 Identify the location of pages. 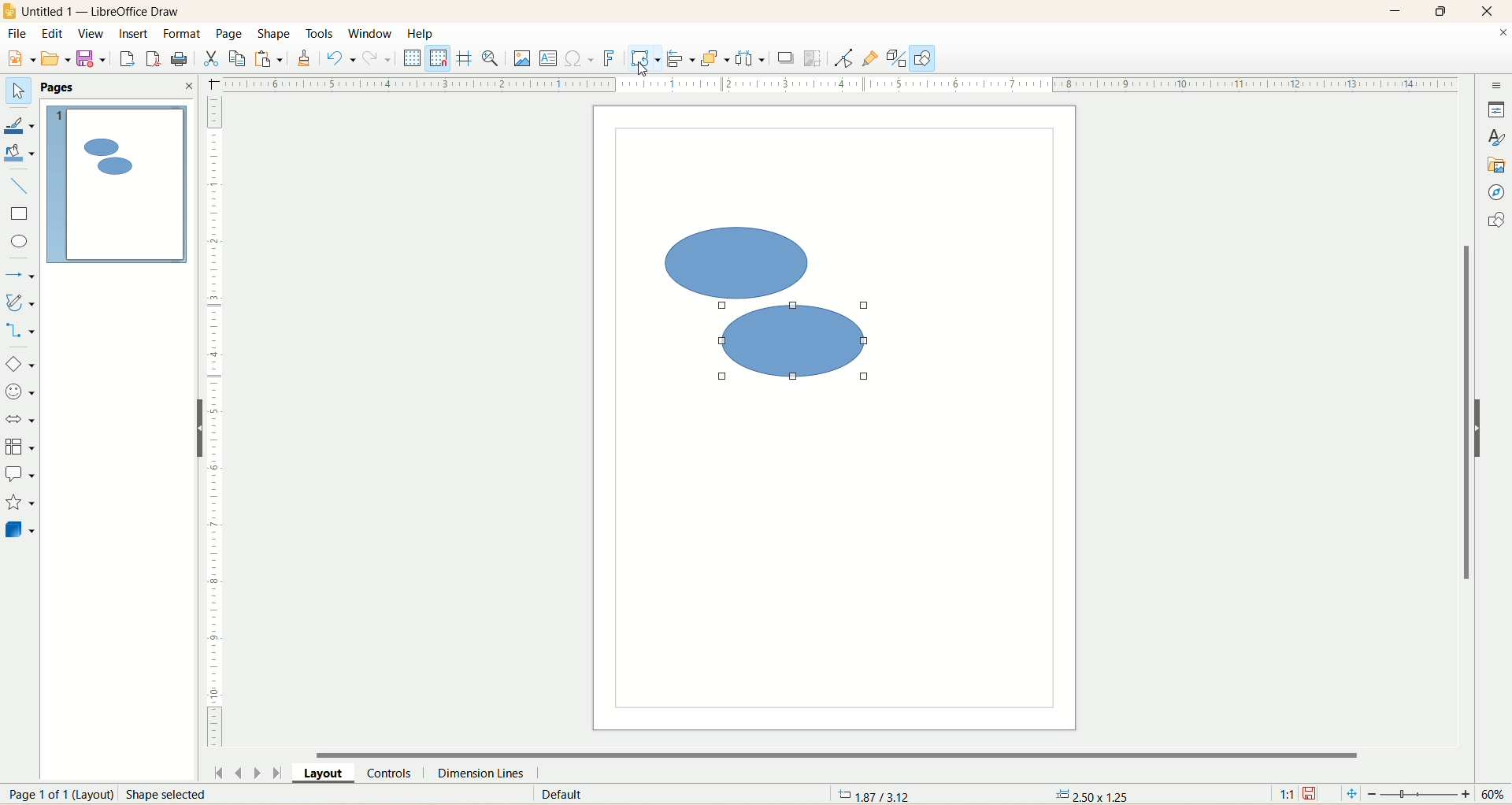
(61, 87).